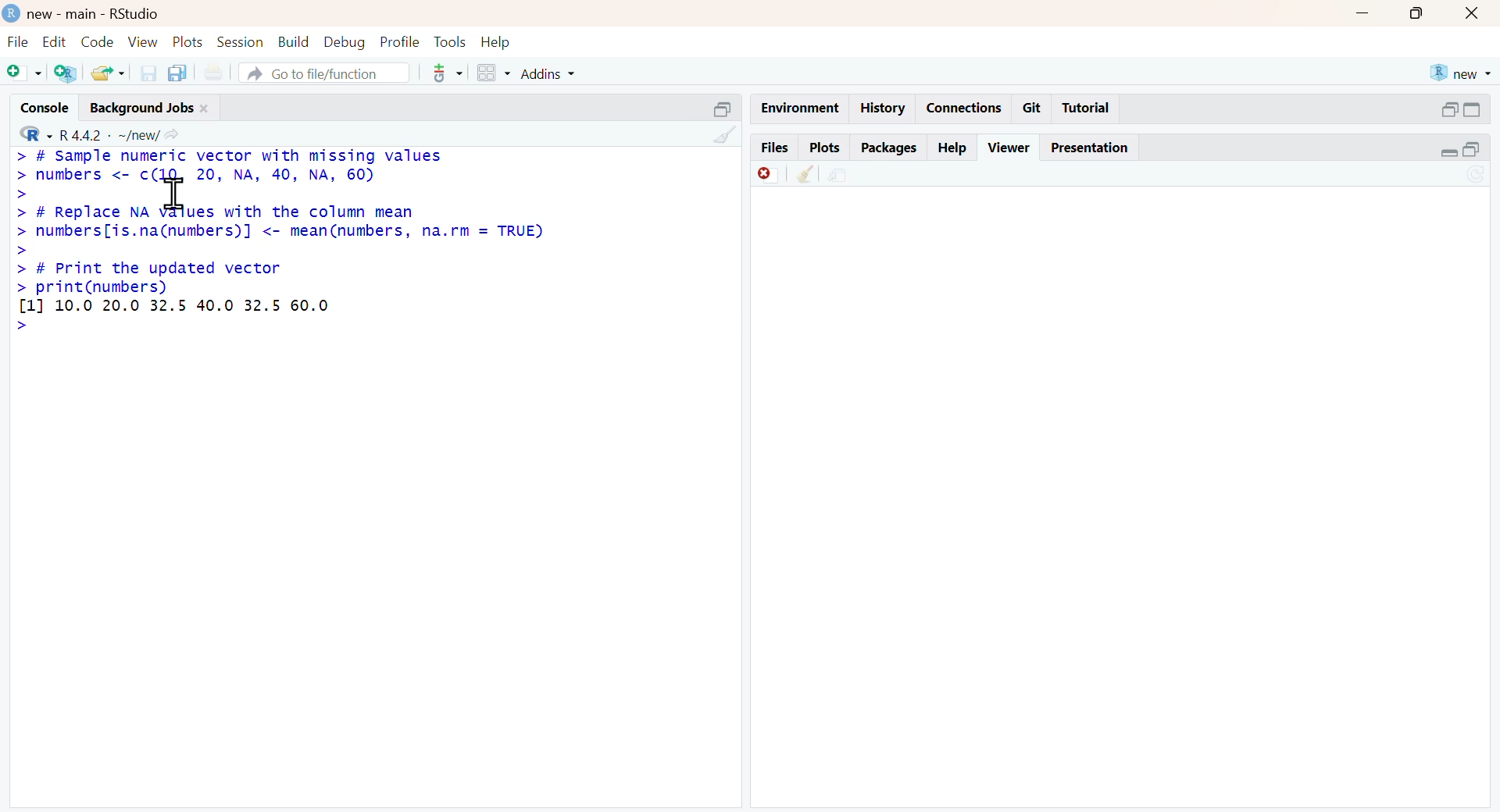 Image resolution: width=1500 pixels, height=812 pixels. I want to click on help, so click(953, 149).